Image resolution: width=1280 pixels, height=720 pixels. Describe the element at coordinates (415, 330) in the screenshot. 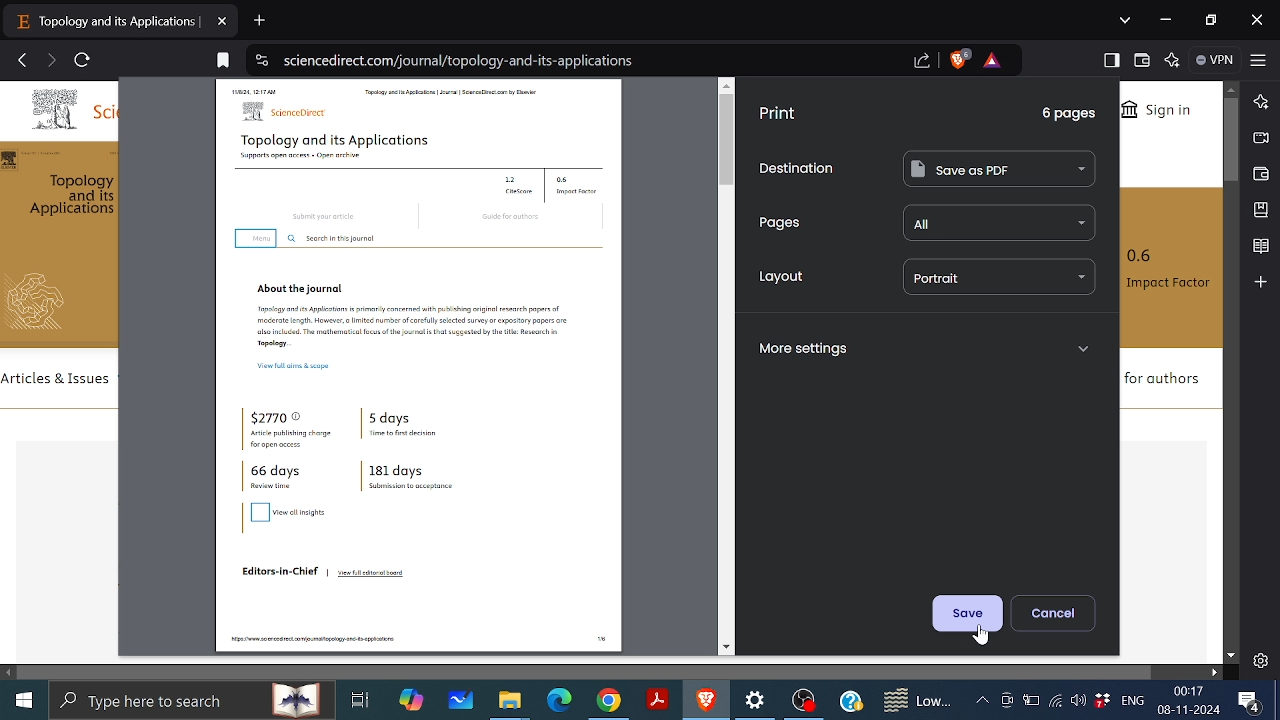

I see `Topology and its Applications is primarily concerned with publishing original research papers of moderate length. However, a limited number of carefully selected survey or expository papers are also included. The mathematical focus of the journal is that suggested by the title: Research in Topology…` at that location.